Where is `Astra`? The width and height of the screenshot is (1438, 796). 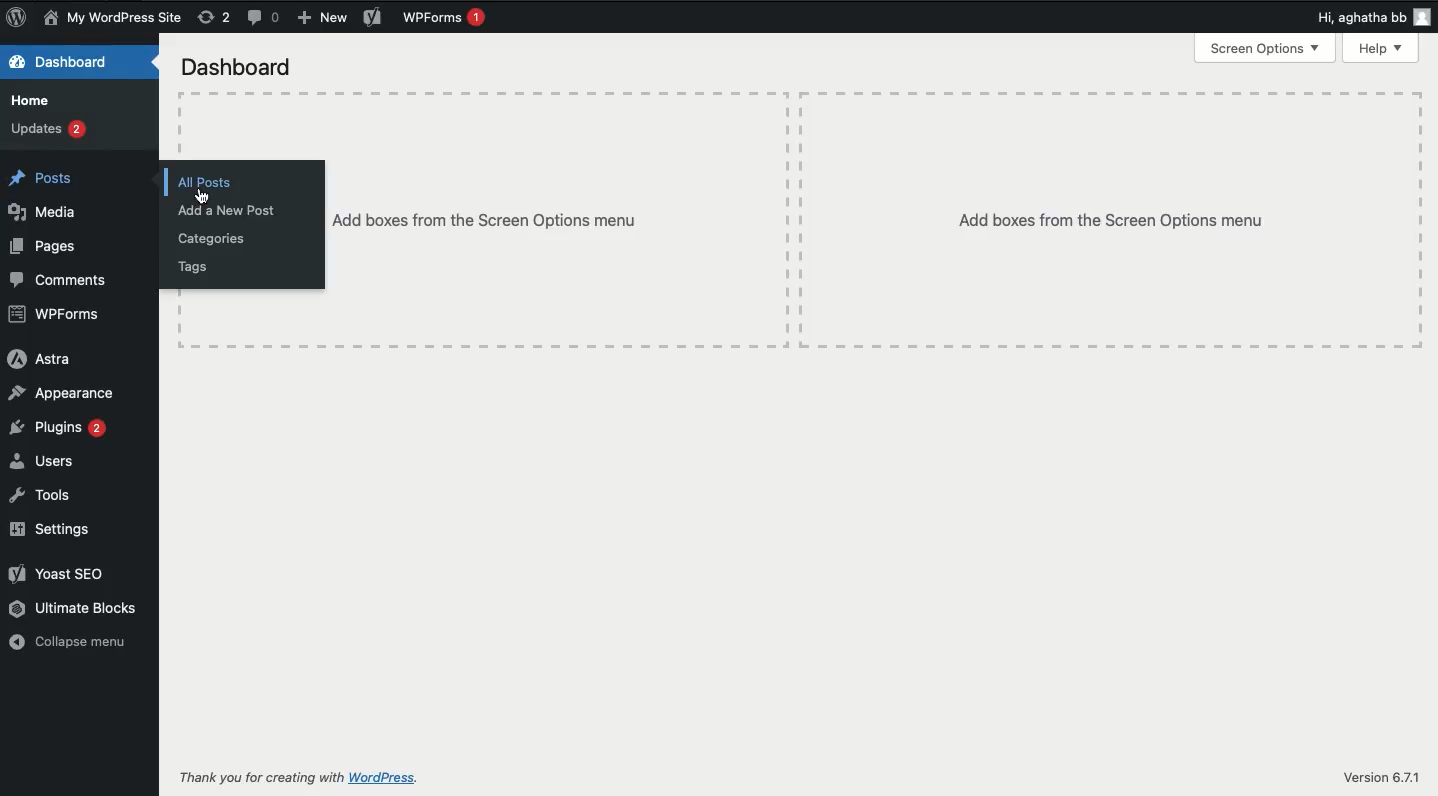
Astra is located at coordinates (43, 359).